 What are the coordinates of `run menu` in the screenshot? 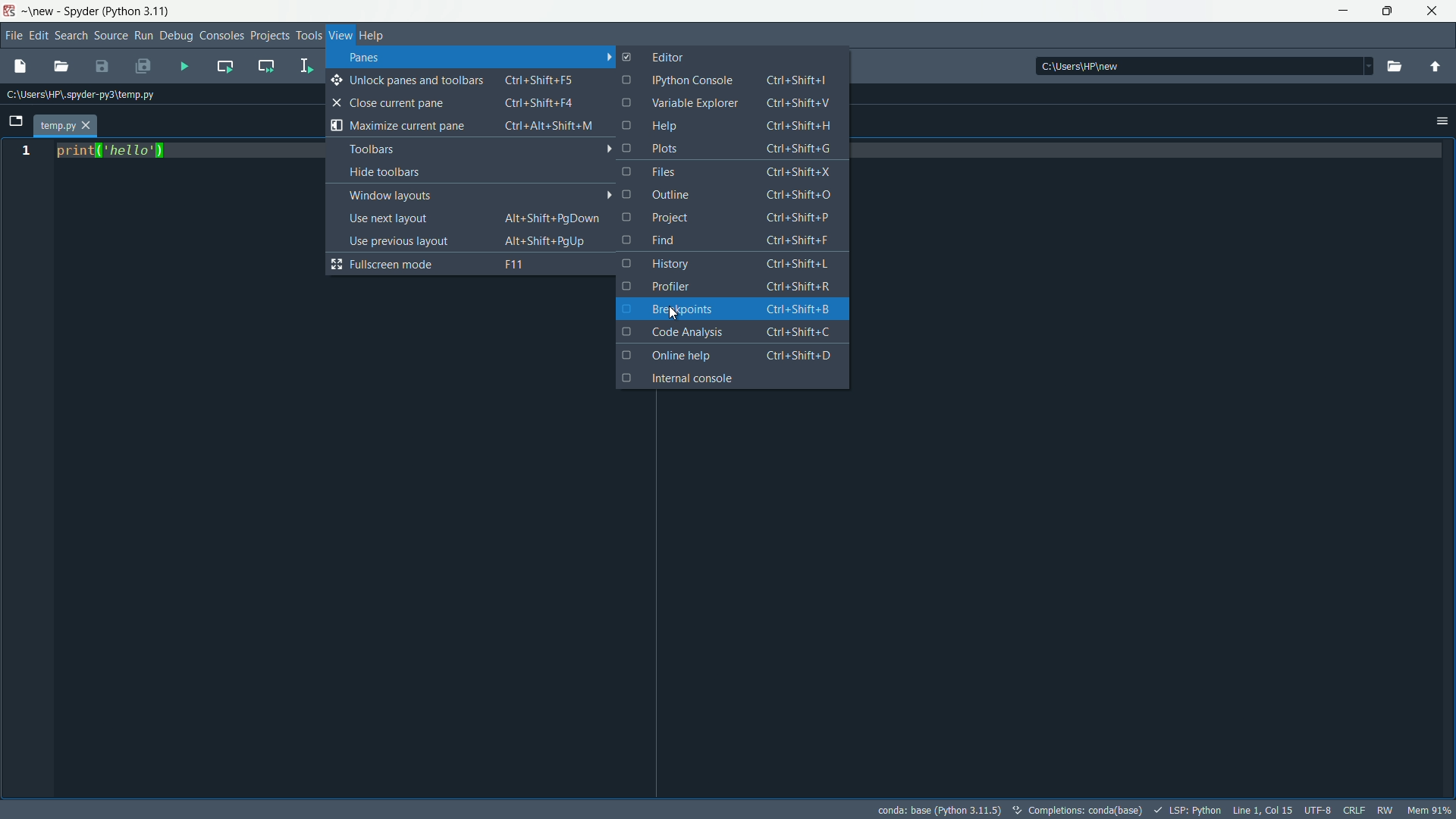 It's located at (143, 36).